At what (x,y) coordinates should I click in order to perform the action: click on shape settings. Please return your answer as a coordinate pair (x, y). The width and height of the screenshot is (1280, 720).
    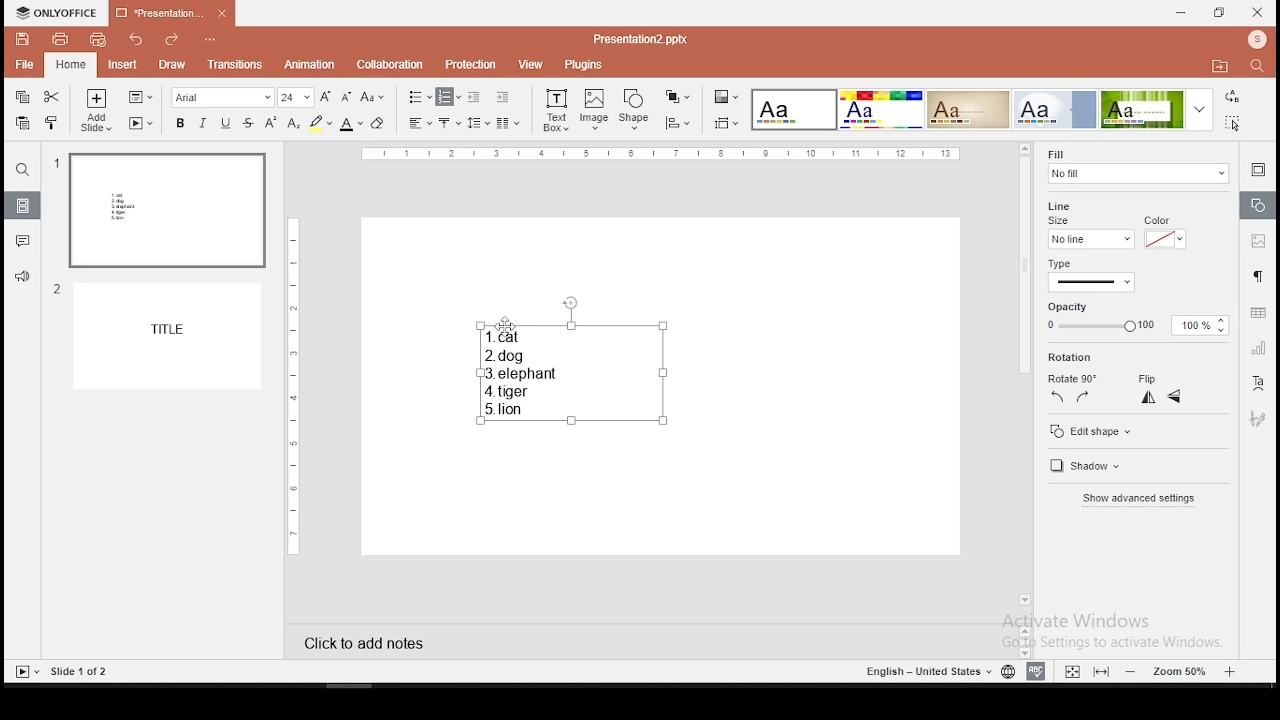
    Looking at the image, I should click on (1256, 204).